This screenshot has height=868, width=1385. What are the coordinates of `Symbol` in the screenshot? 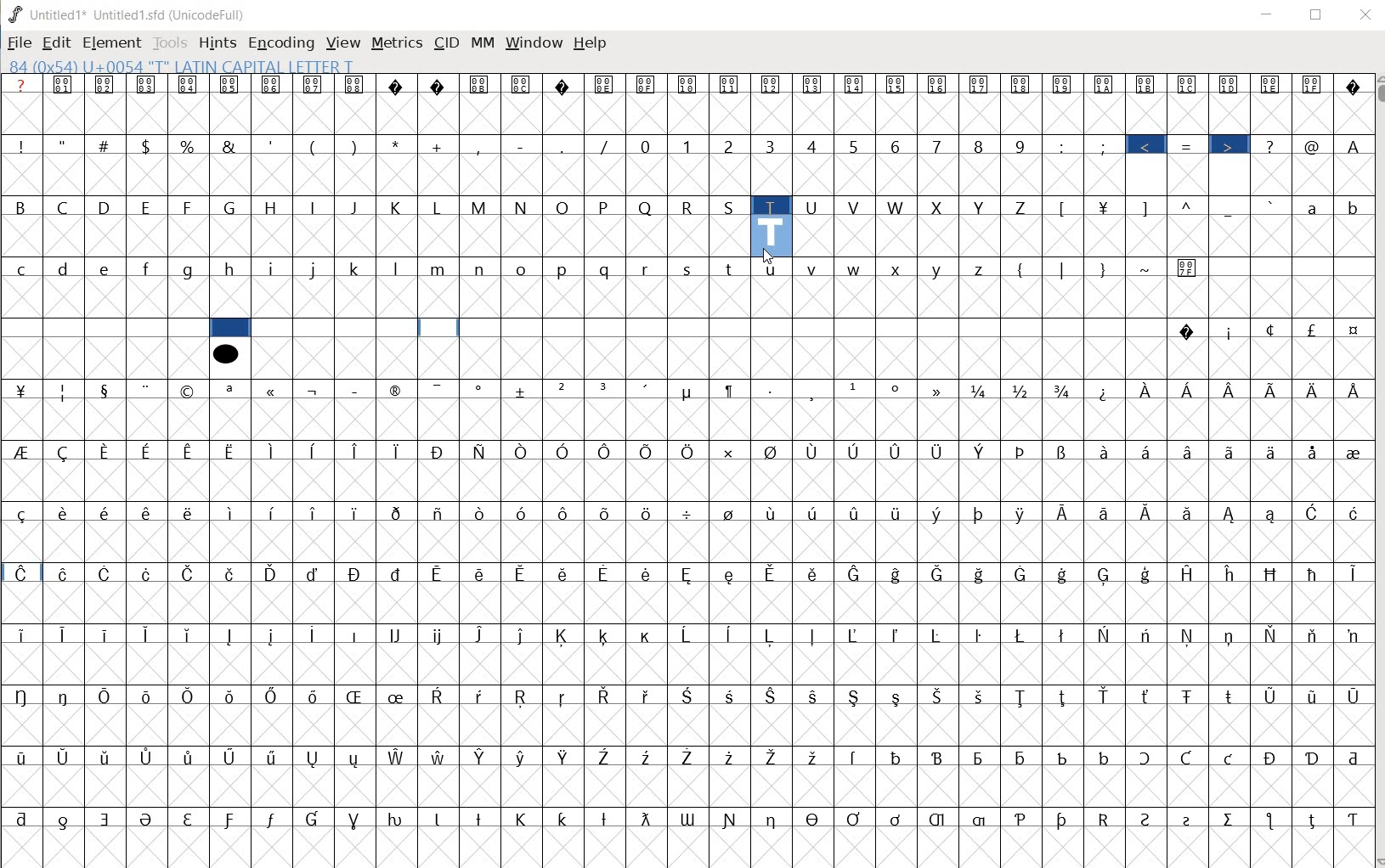 It's located at (1148, 697).